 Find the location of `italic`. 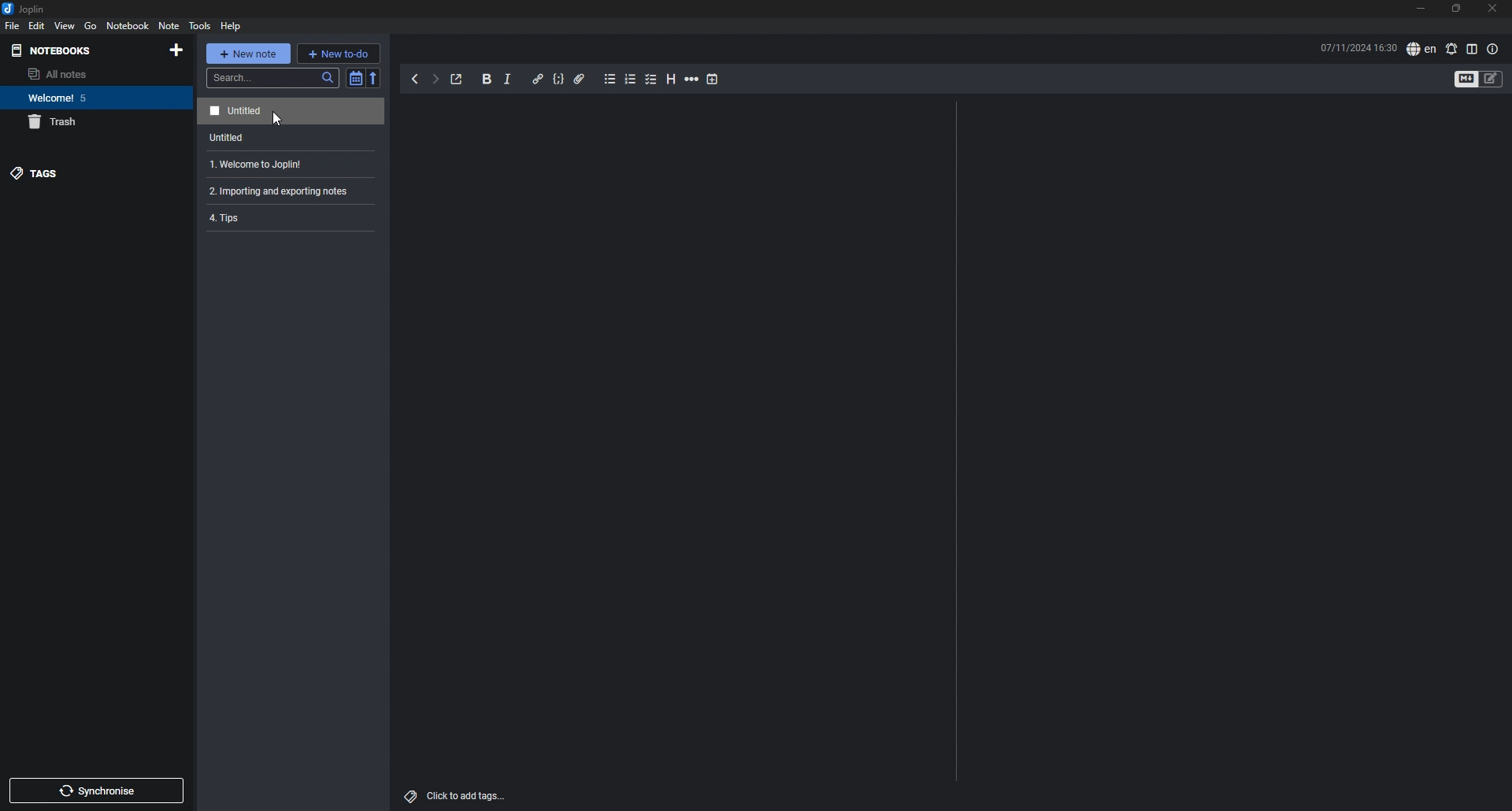

italic is located at coordinates (507, 80).